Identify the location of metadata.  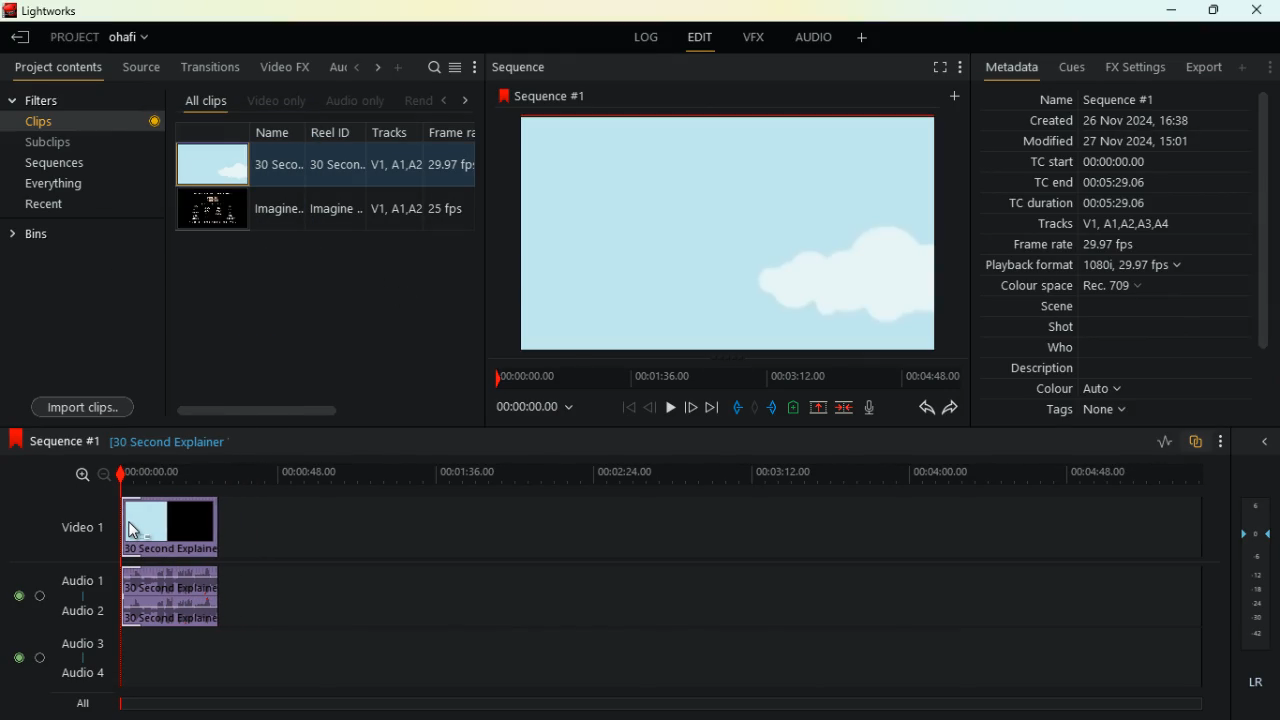
(1012, 68).